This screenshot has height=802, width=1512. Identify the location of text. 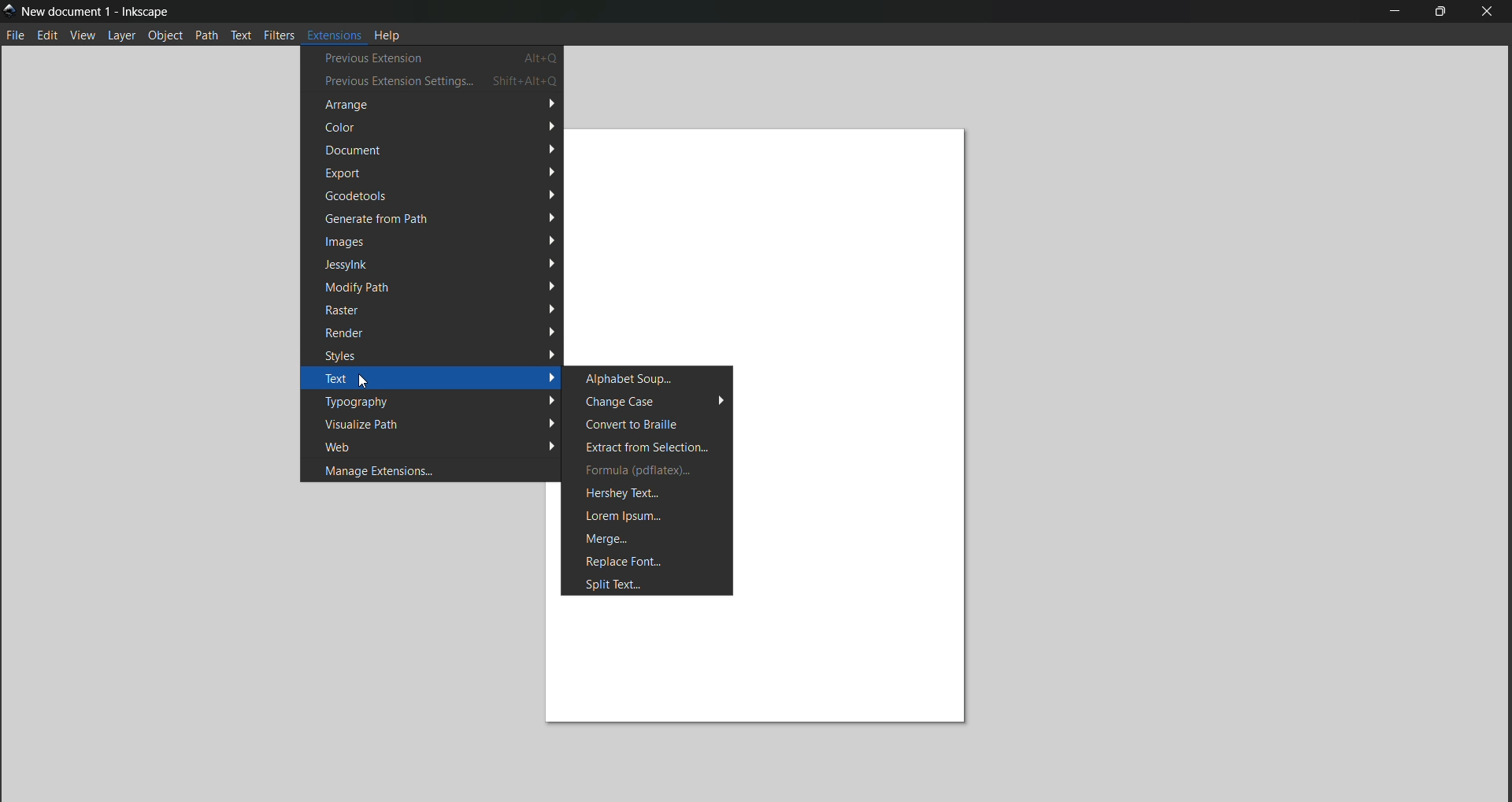
(435, 379).